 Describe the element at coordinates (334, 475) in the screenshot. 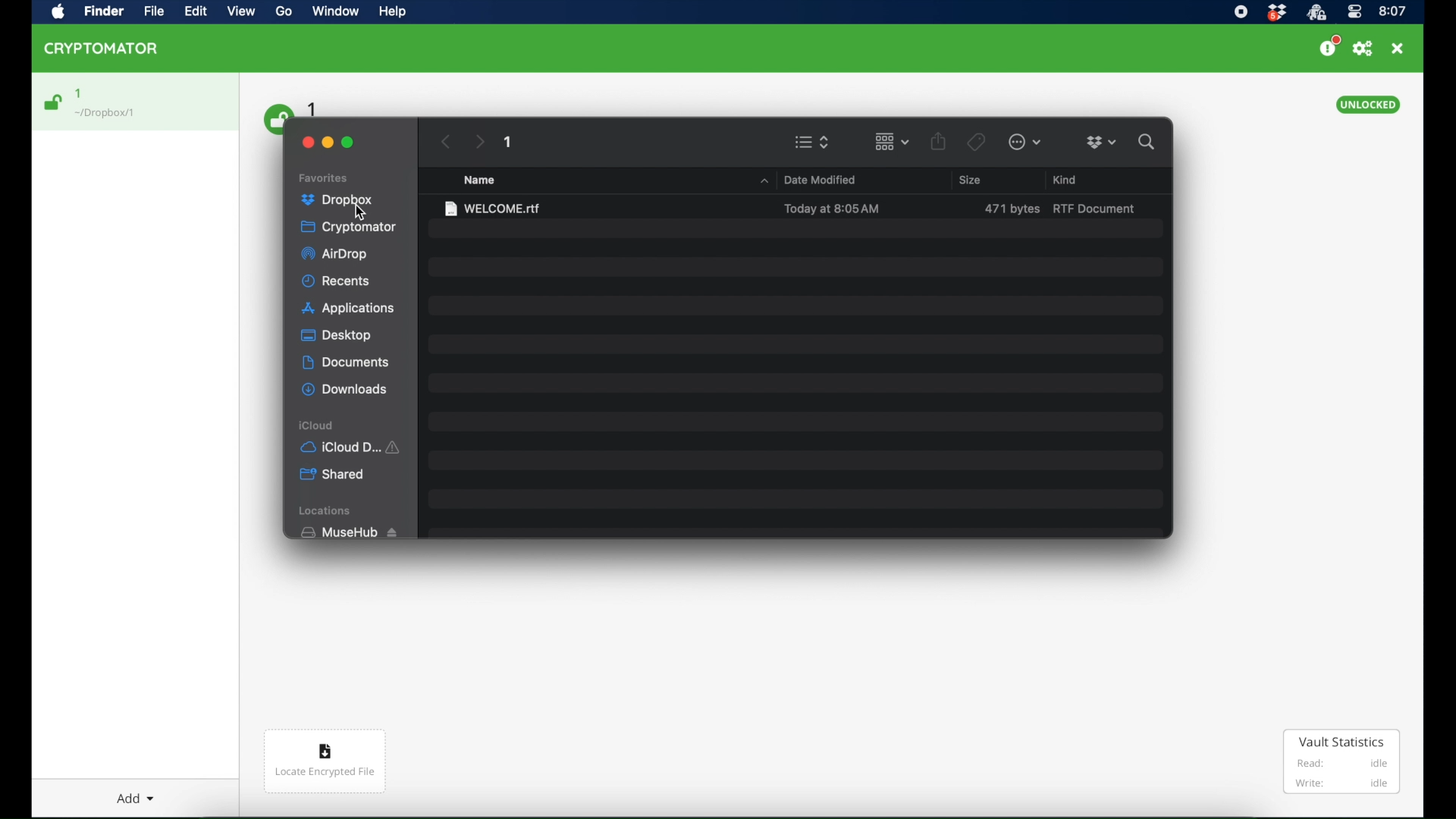

I see `shared` at that location.